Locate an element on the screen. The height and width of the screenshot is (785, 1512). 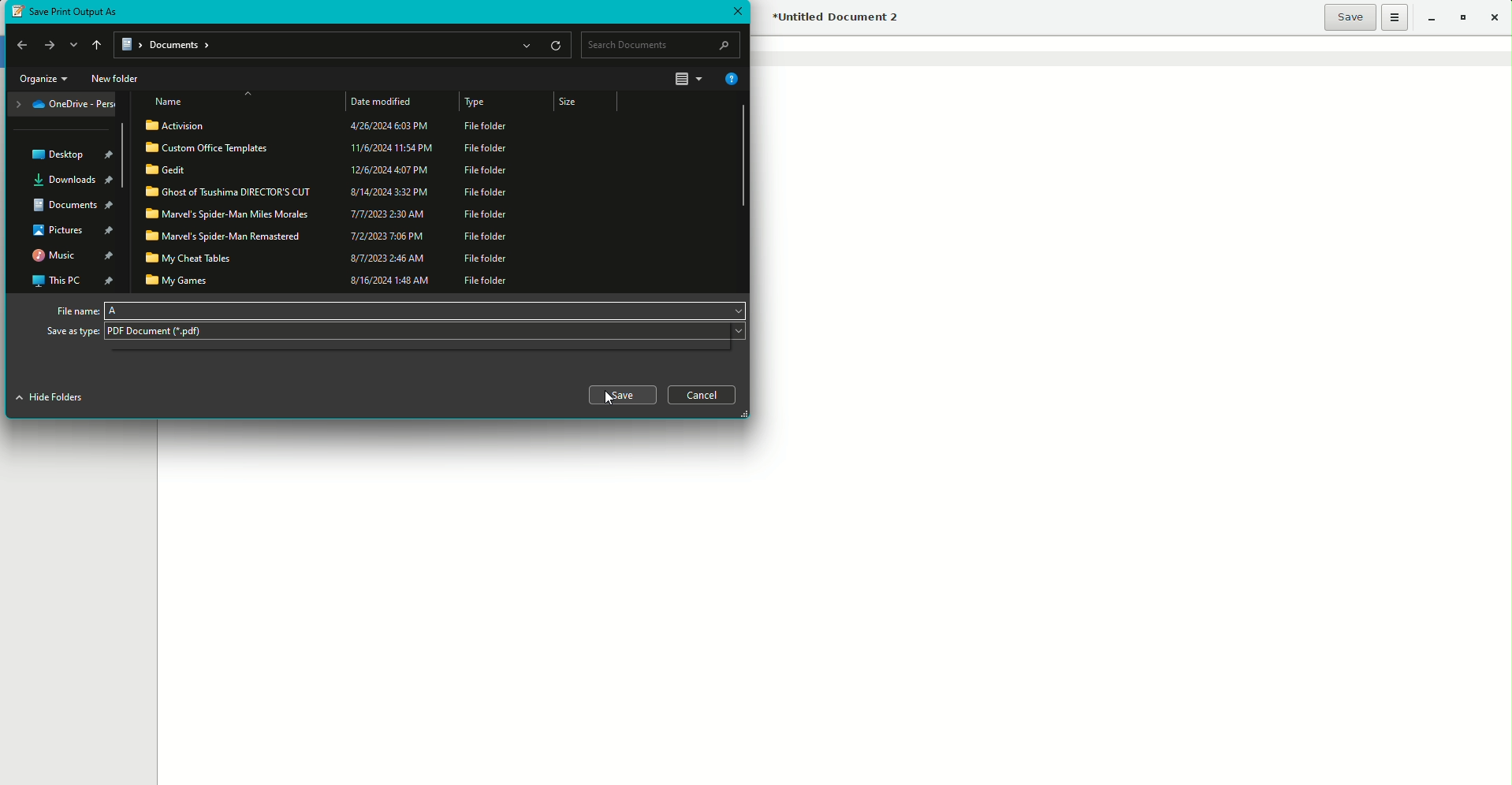
Close is located at coordinates (1499, 18).